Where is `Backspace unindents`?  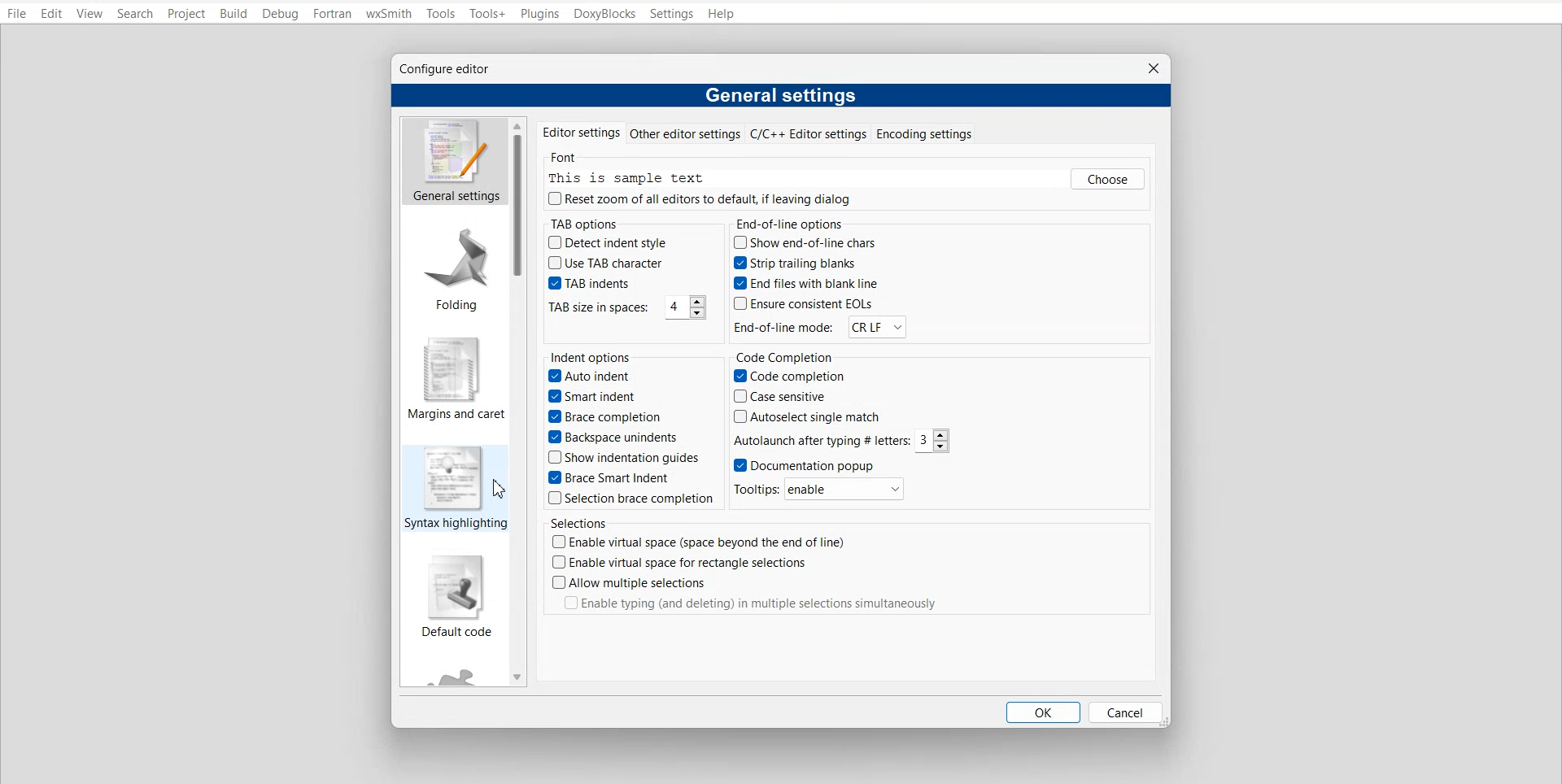 Backspace unindents is located at coordinates (615, 436).